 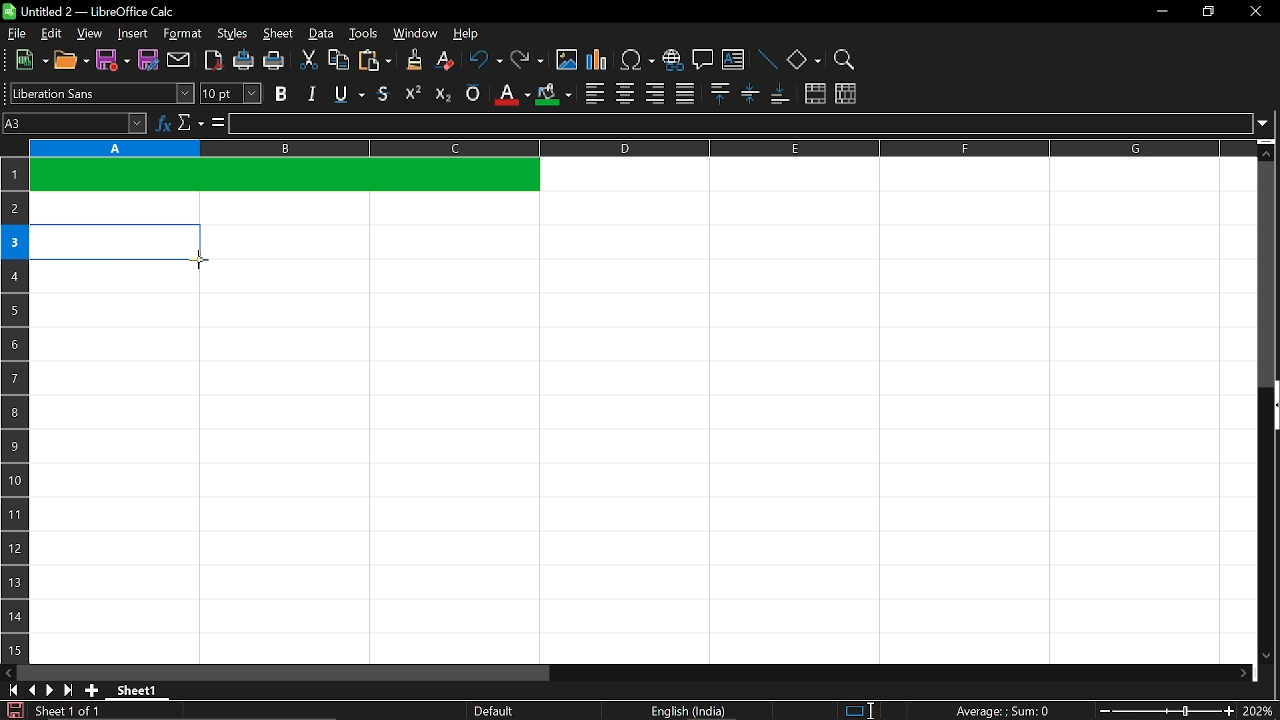 I want to click on merge cells, so click(x=815, y=94).